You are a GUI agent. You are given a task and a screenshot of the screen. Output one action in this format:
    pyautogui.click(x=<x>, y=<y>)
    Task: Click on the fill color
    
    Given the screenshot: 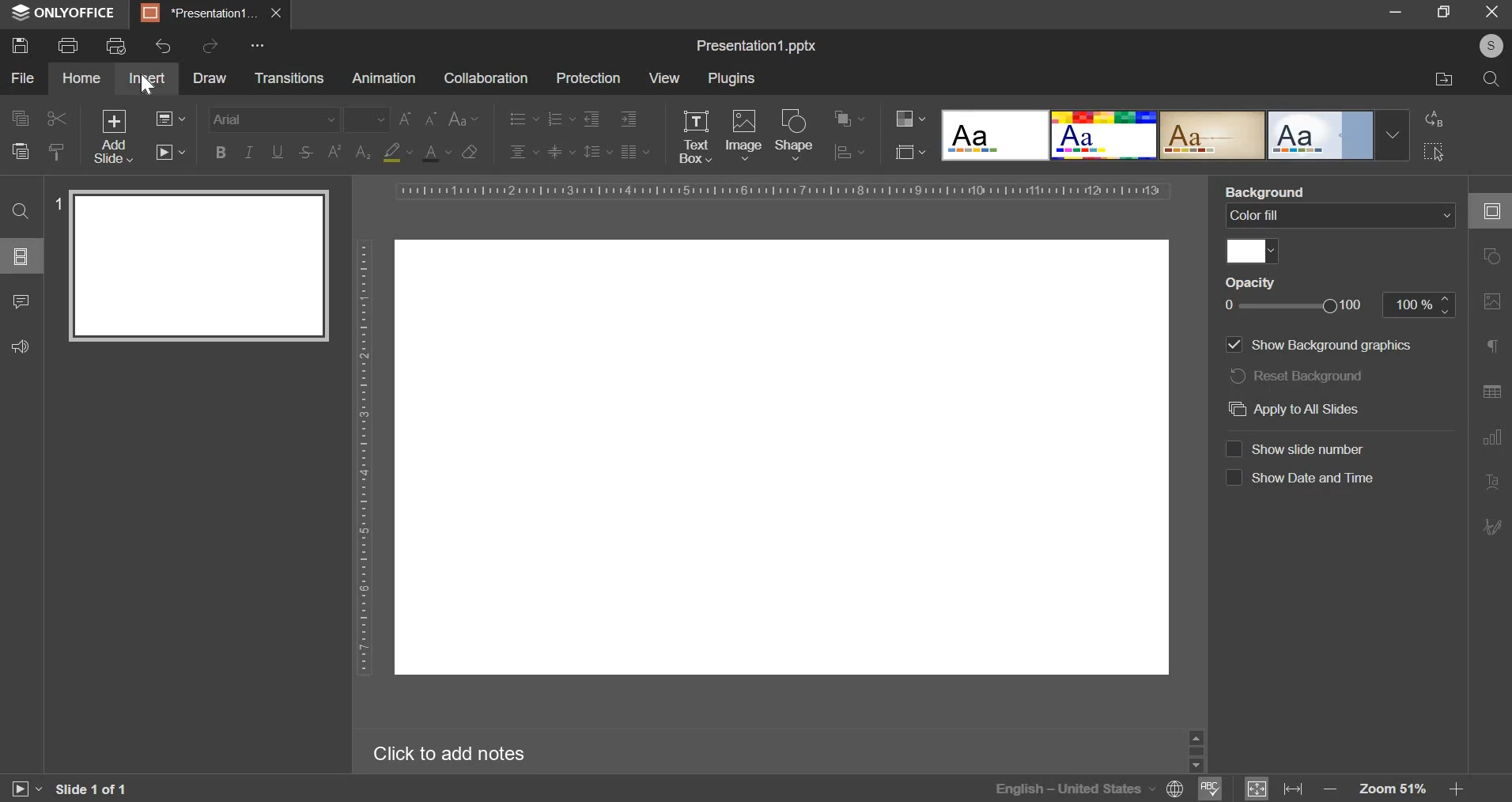 What is the action you would take?
    pyautogui.click(x=397, y=153)
    